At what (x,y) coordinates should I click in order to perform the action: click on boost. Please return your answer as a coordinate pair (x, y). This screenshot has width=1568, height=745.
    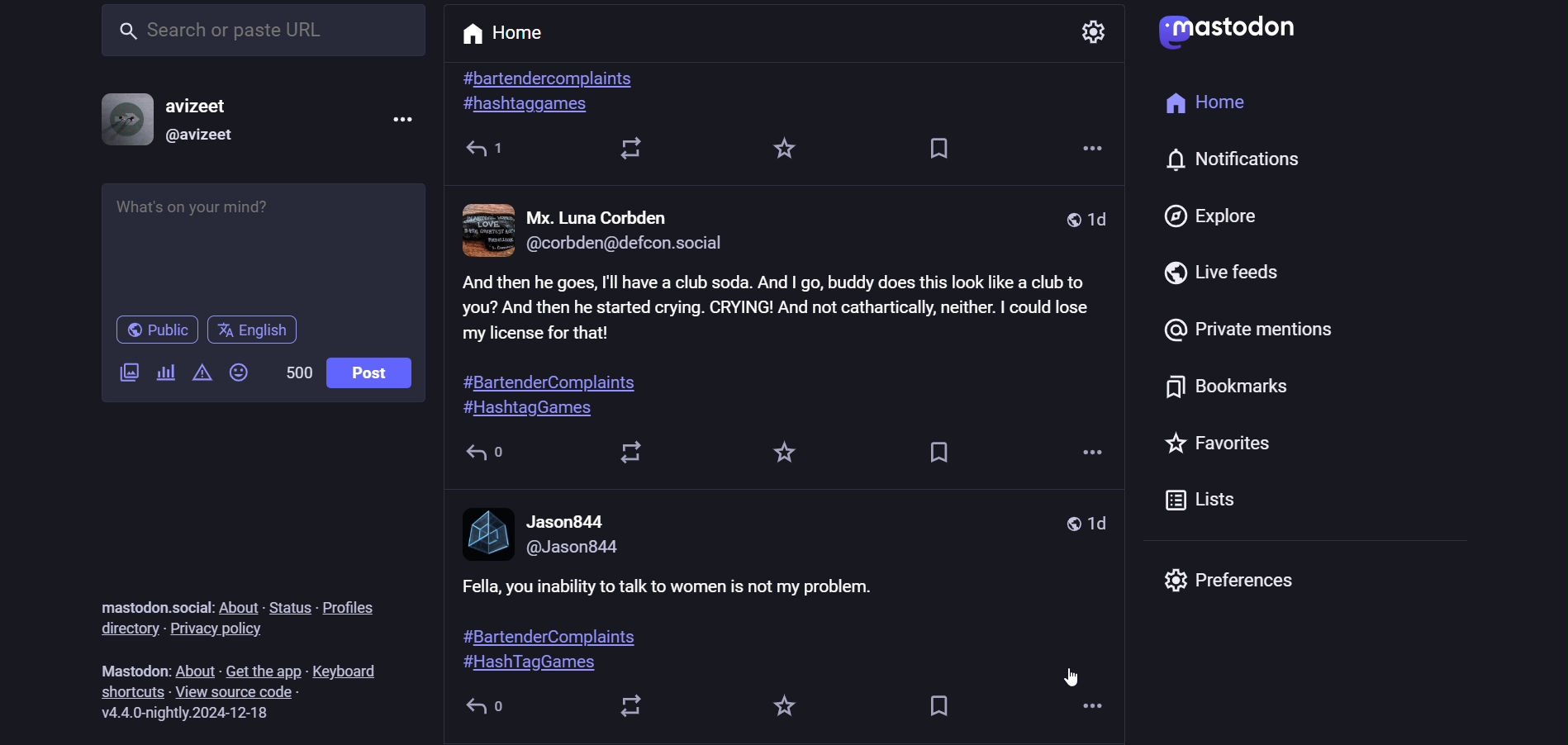
    Looking at the image, I should click on (633, 455).